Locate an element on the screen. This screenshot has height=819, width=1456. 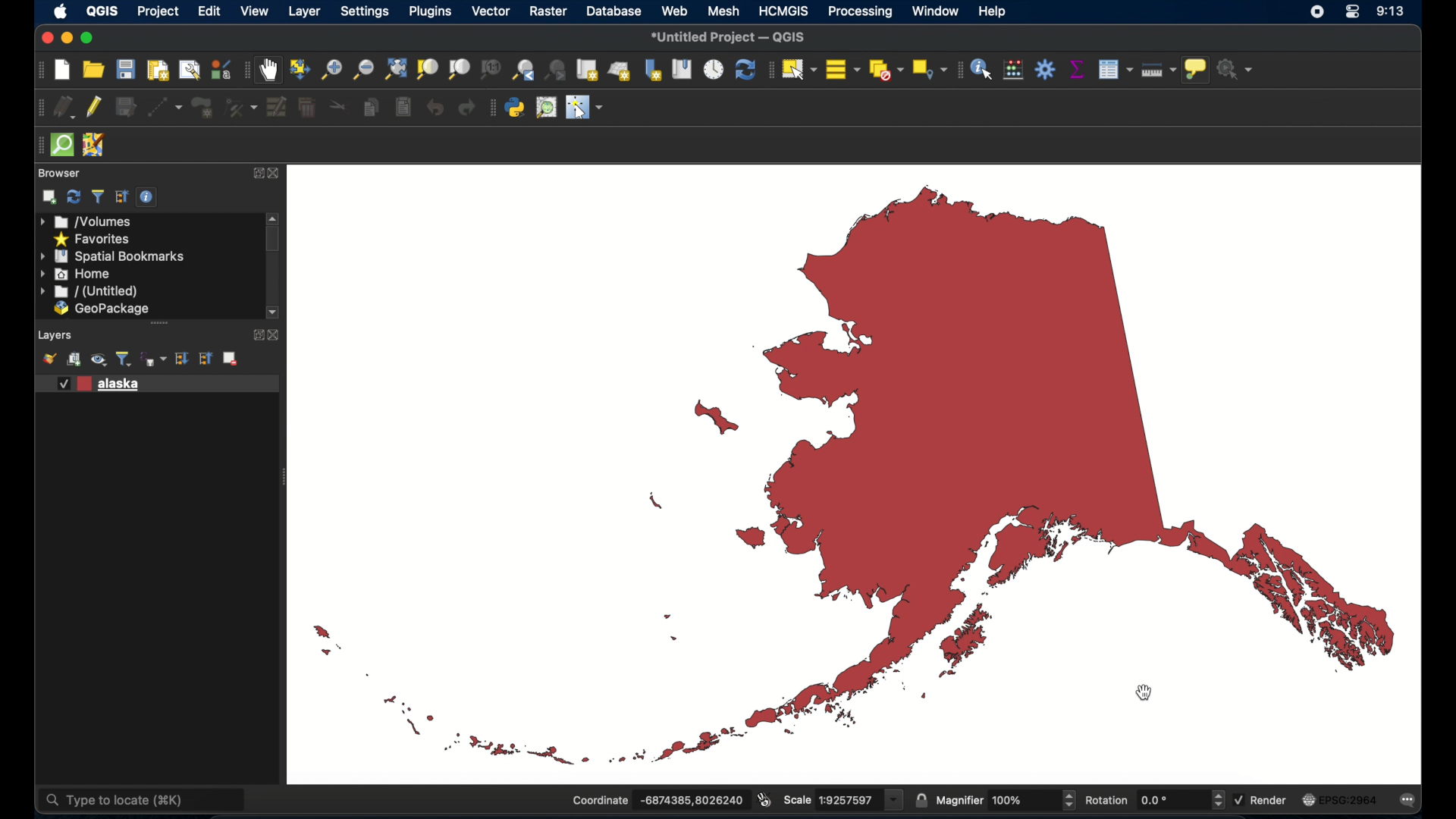
select all features is located at coordinates (844, 69).